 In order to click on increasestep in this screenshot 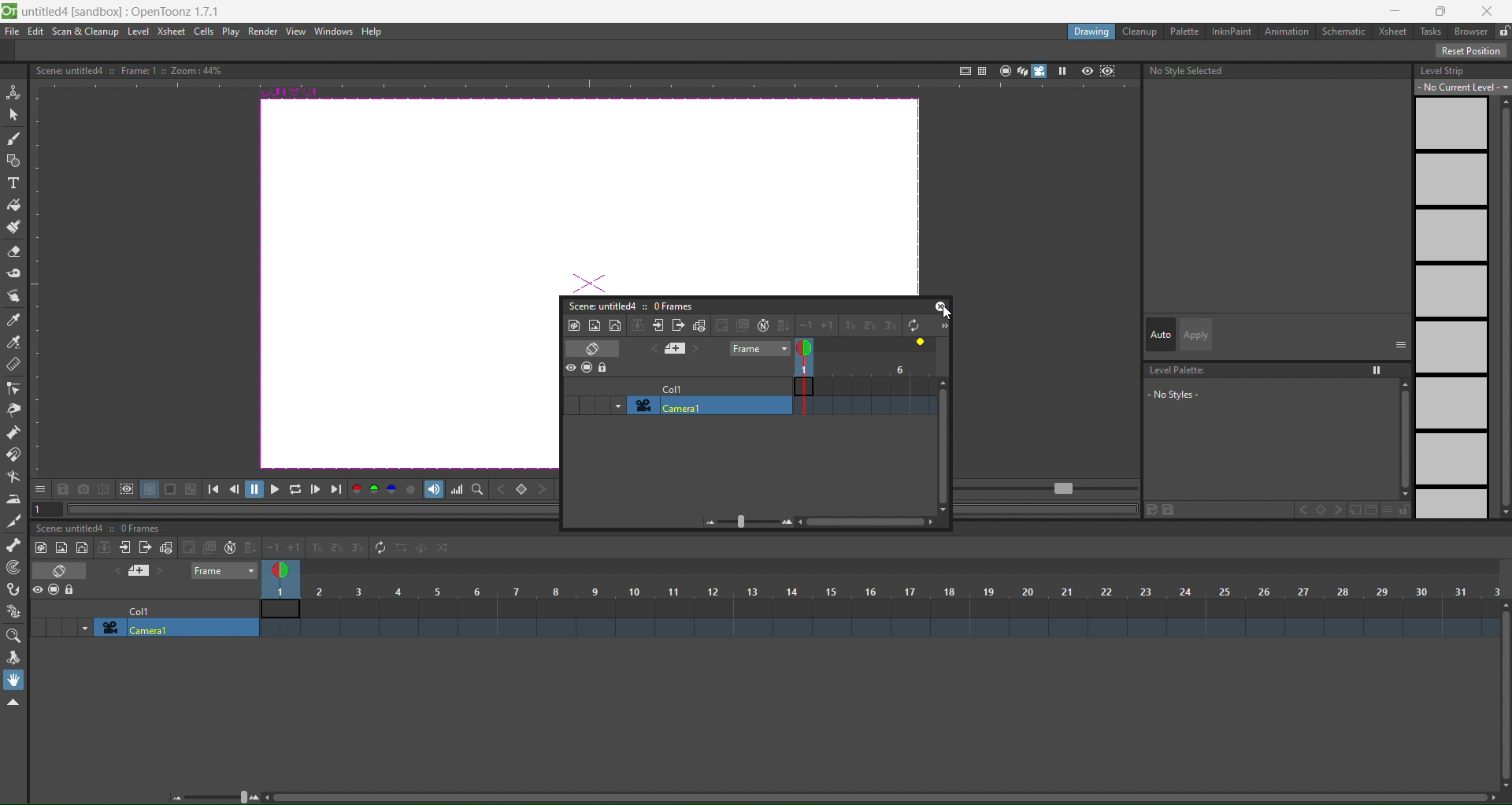, I will do `click(314, 546)`.